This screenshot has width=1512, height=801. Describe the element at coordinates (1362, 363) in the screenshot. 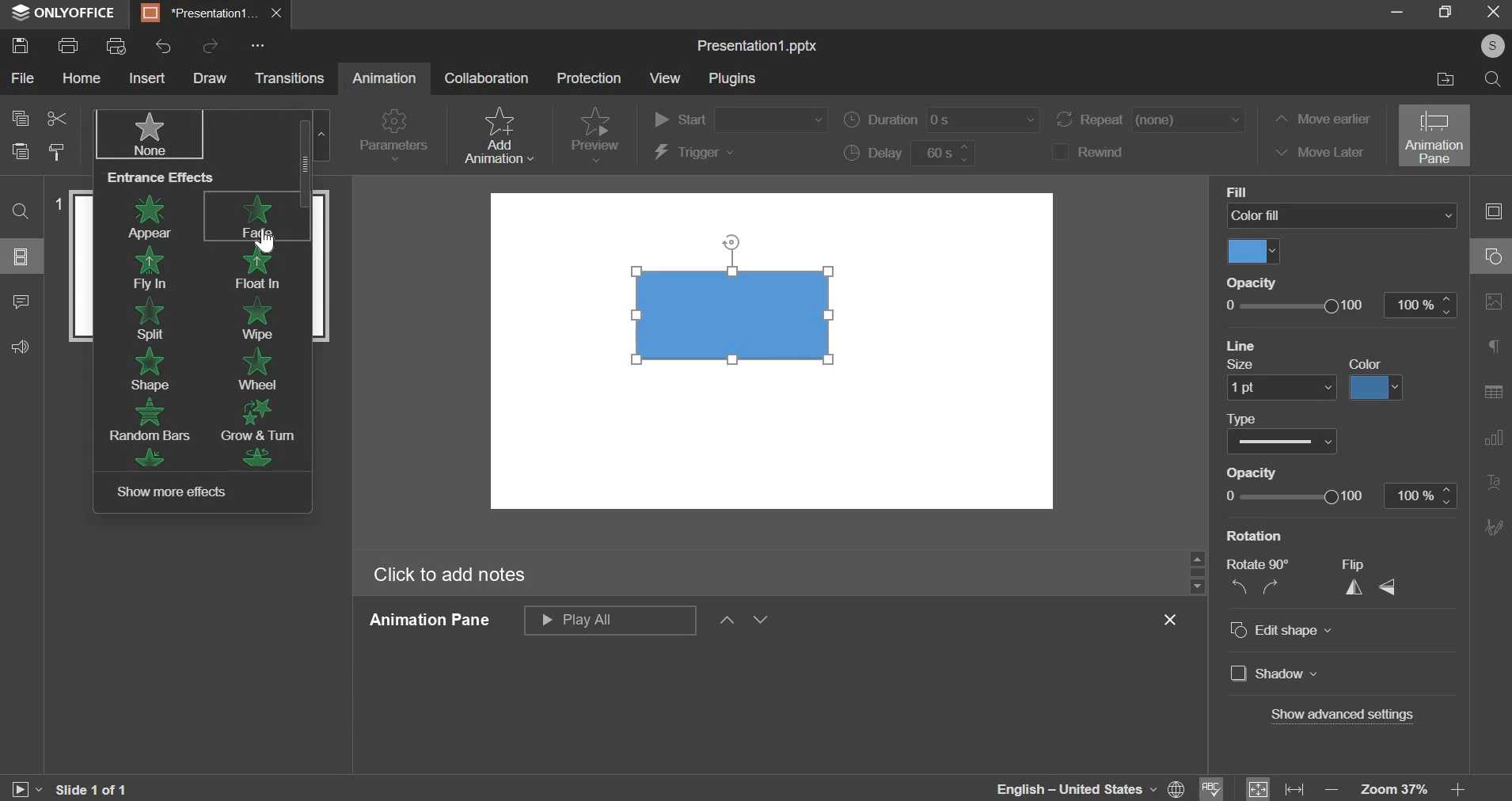

I see `Color` at that location.